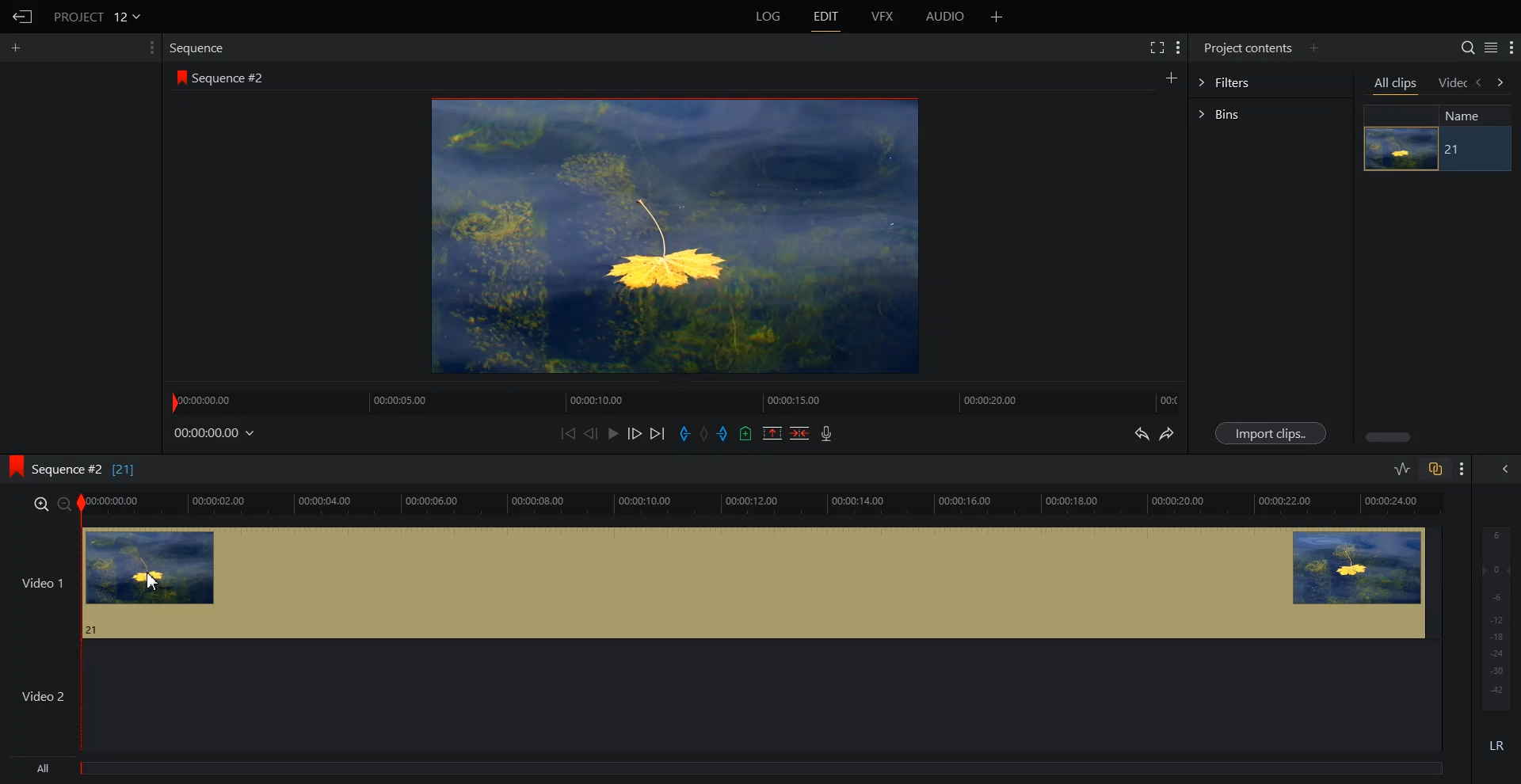 This screenshot has width=1521, height=784. What do you see at coordinates (827, 433) in the screenshot?
I see `Record Video` at bounding box center [827, 433].